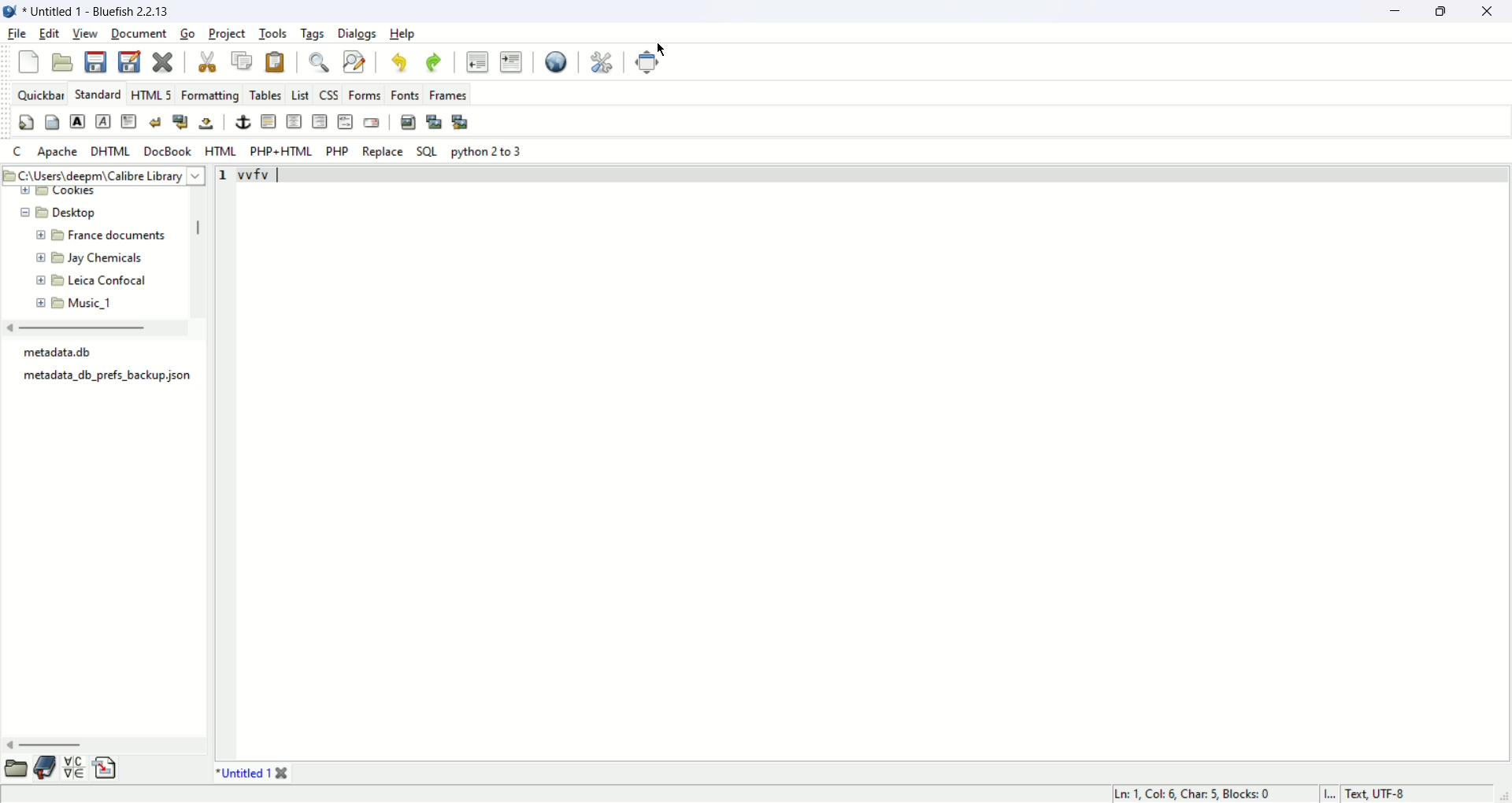  What do you see at coordinates (39, 94) in the screenshot?
I see `quickbar` at bounding box center [39, 94].